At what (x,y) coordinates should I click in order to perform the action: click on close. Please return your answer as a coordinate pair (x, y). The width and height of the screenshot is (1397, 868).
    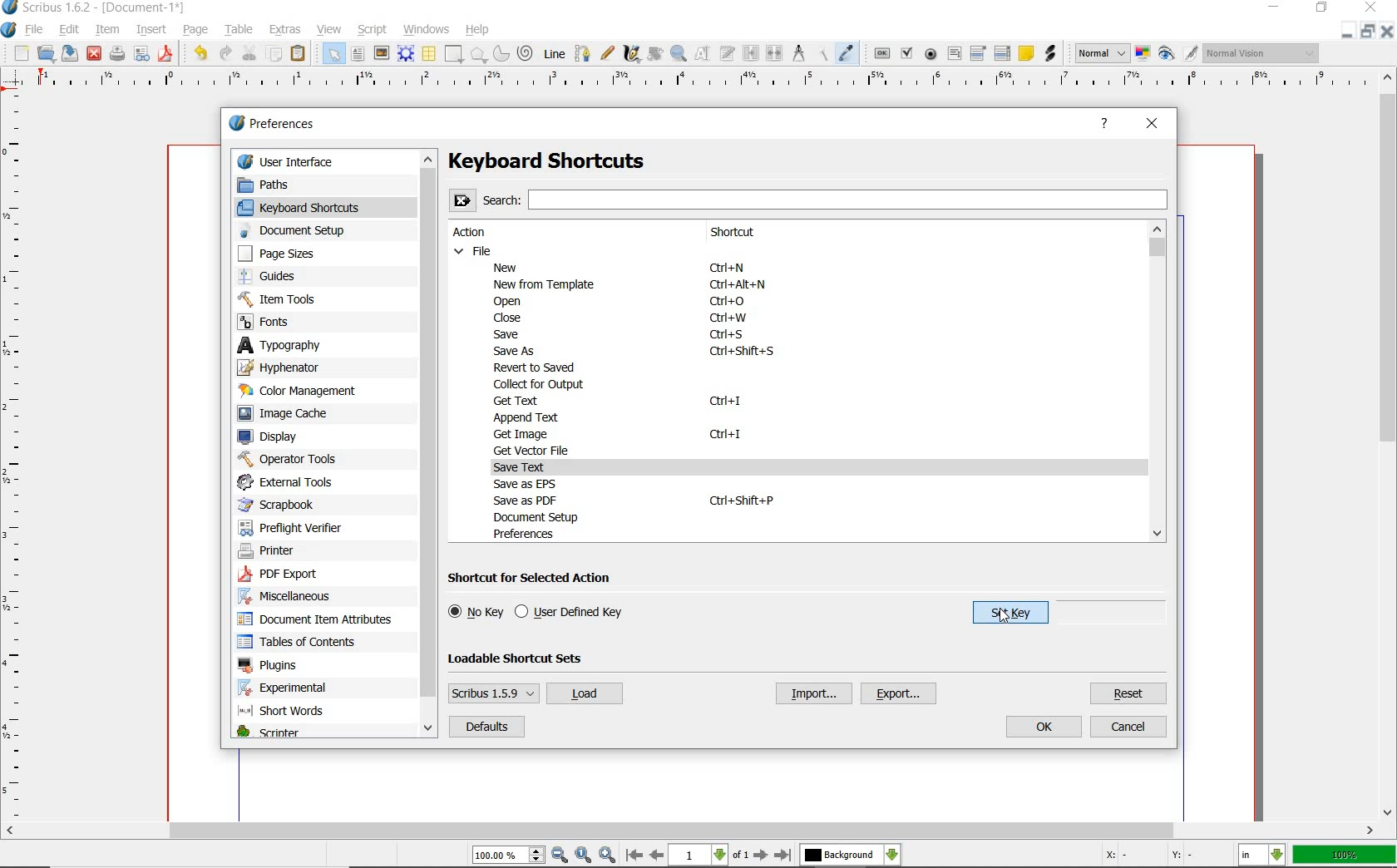
    Looking at the image, I should click on (1387, 31).